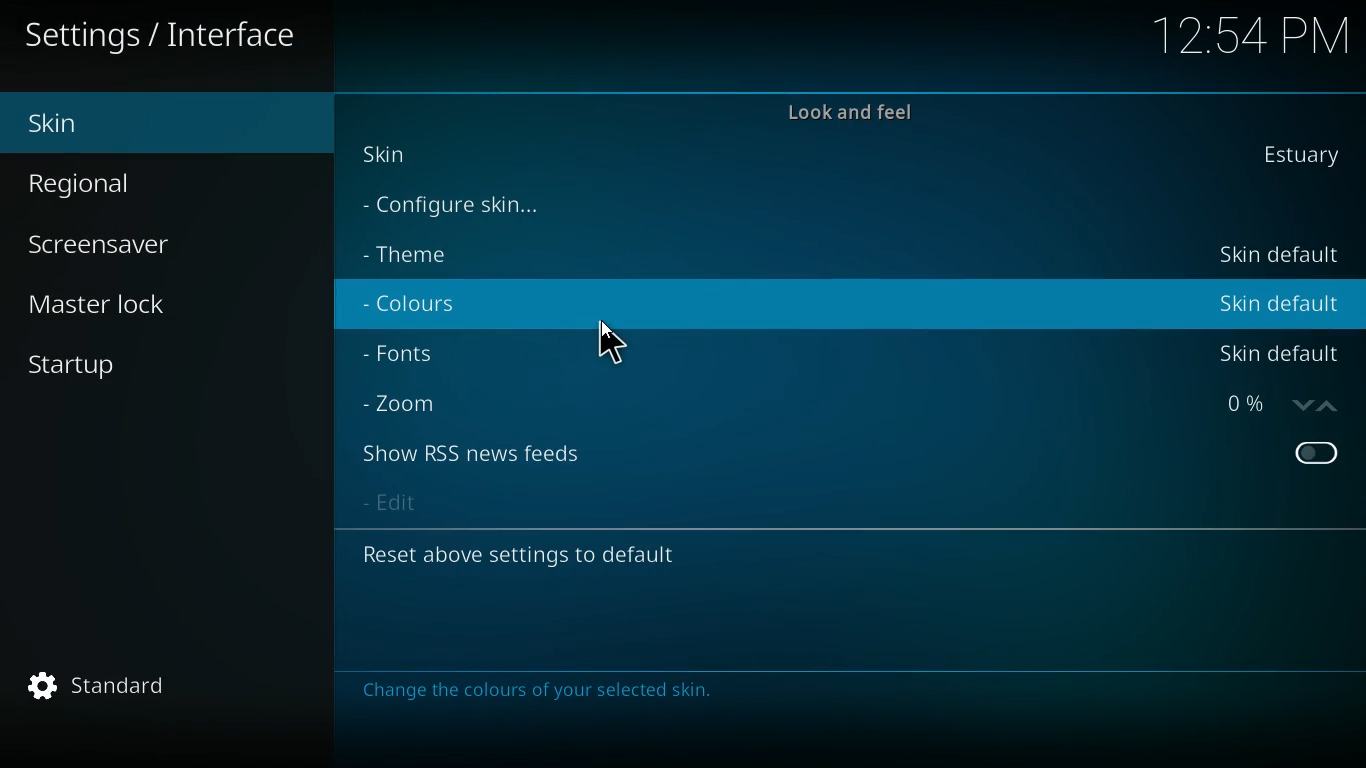 Image resolution: width=1366 pixels, height=768 pixels. Describe the element at coordinates (85, 368) in the screenshot. I see `startup` at that location.